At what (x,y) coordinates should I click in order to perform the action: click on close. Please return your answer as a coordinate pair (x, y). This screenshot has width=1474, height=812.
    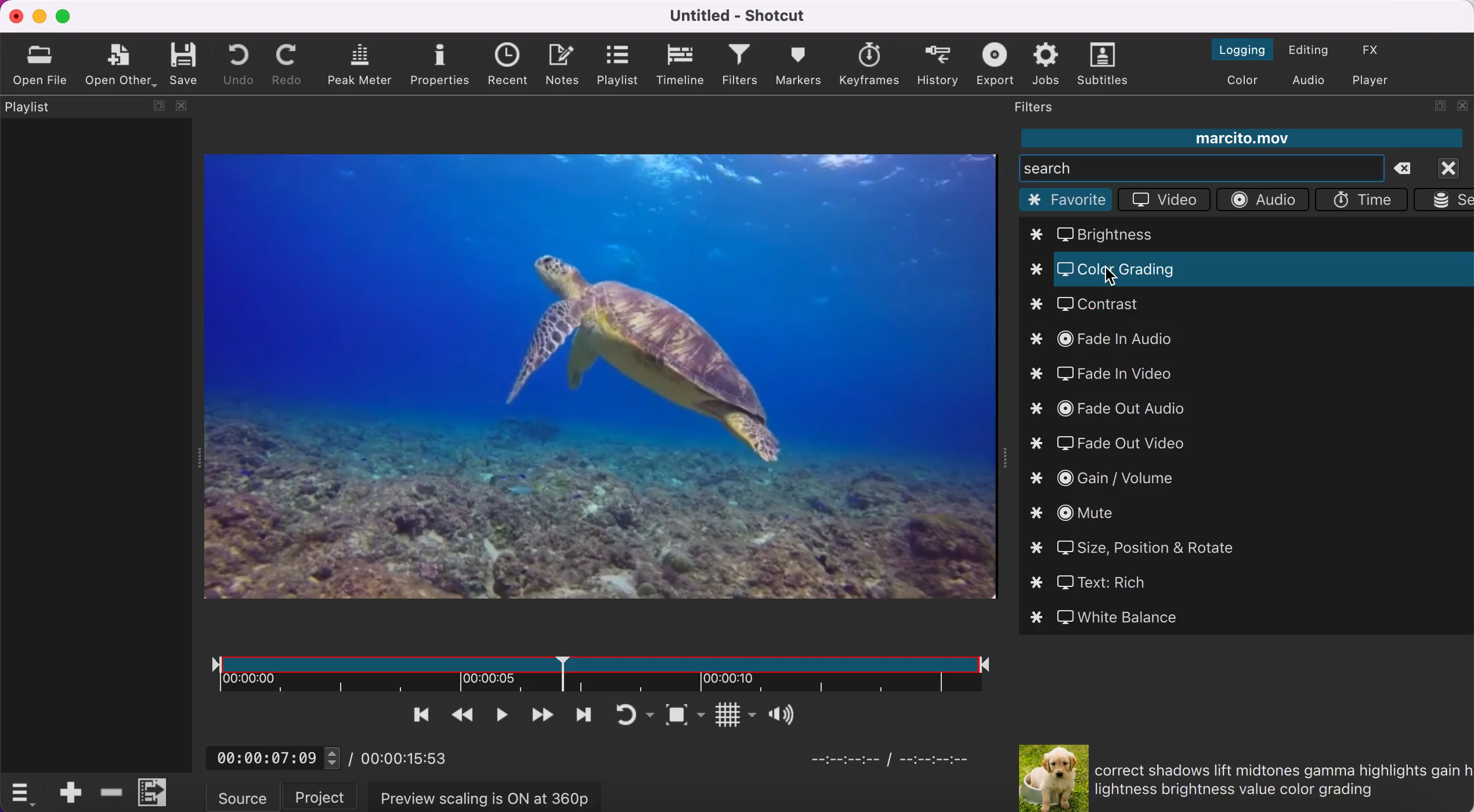
    Looking at the image, I should click on (1463, 109).